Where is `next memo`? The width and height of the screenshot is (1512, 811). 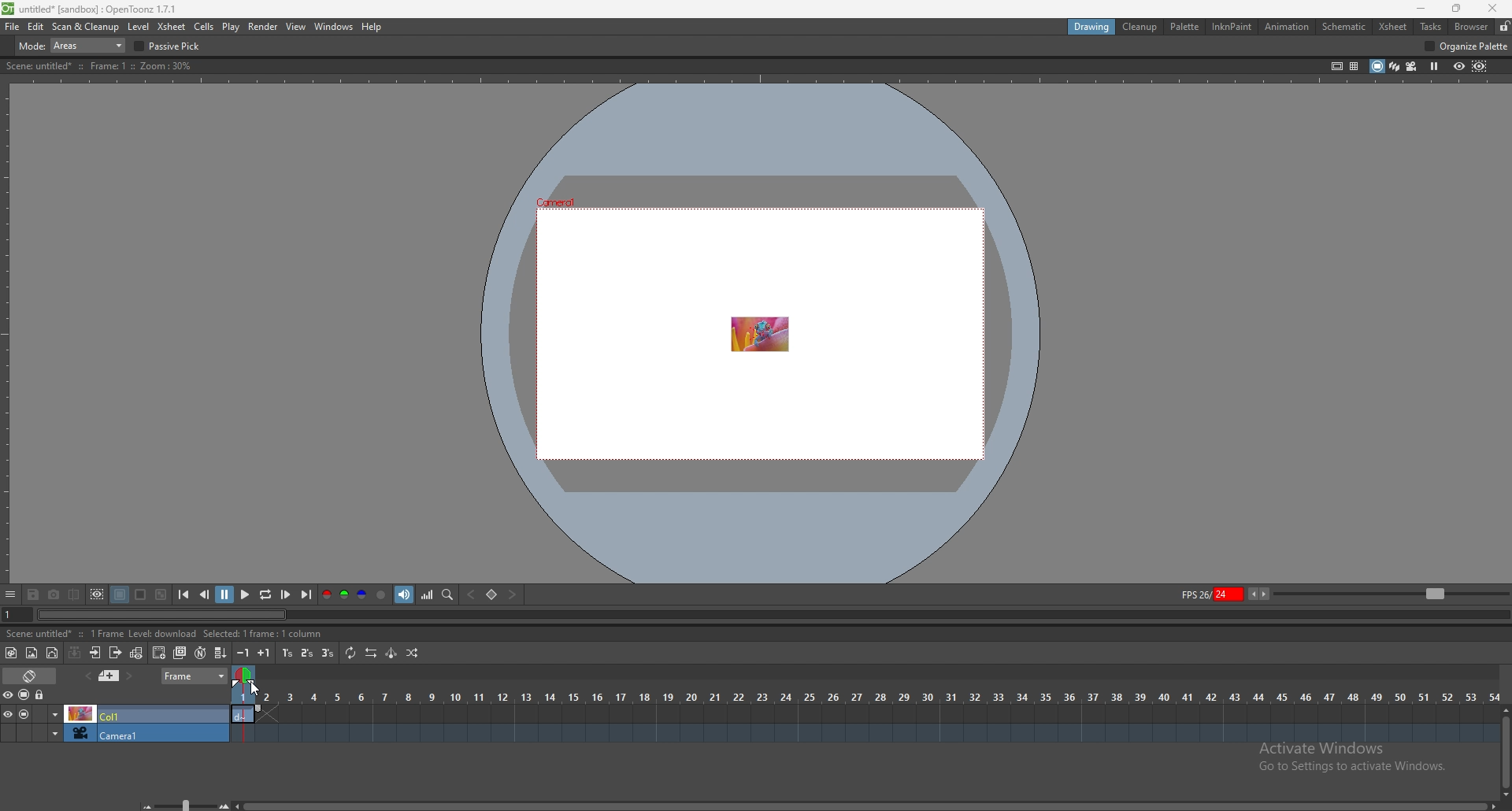
next memo is located at coordinates (129, 676).